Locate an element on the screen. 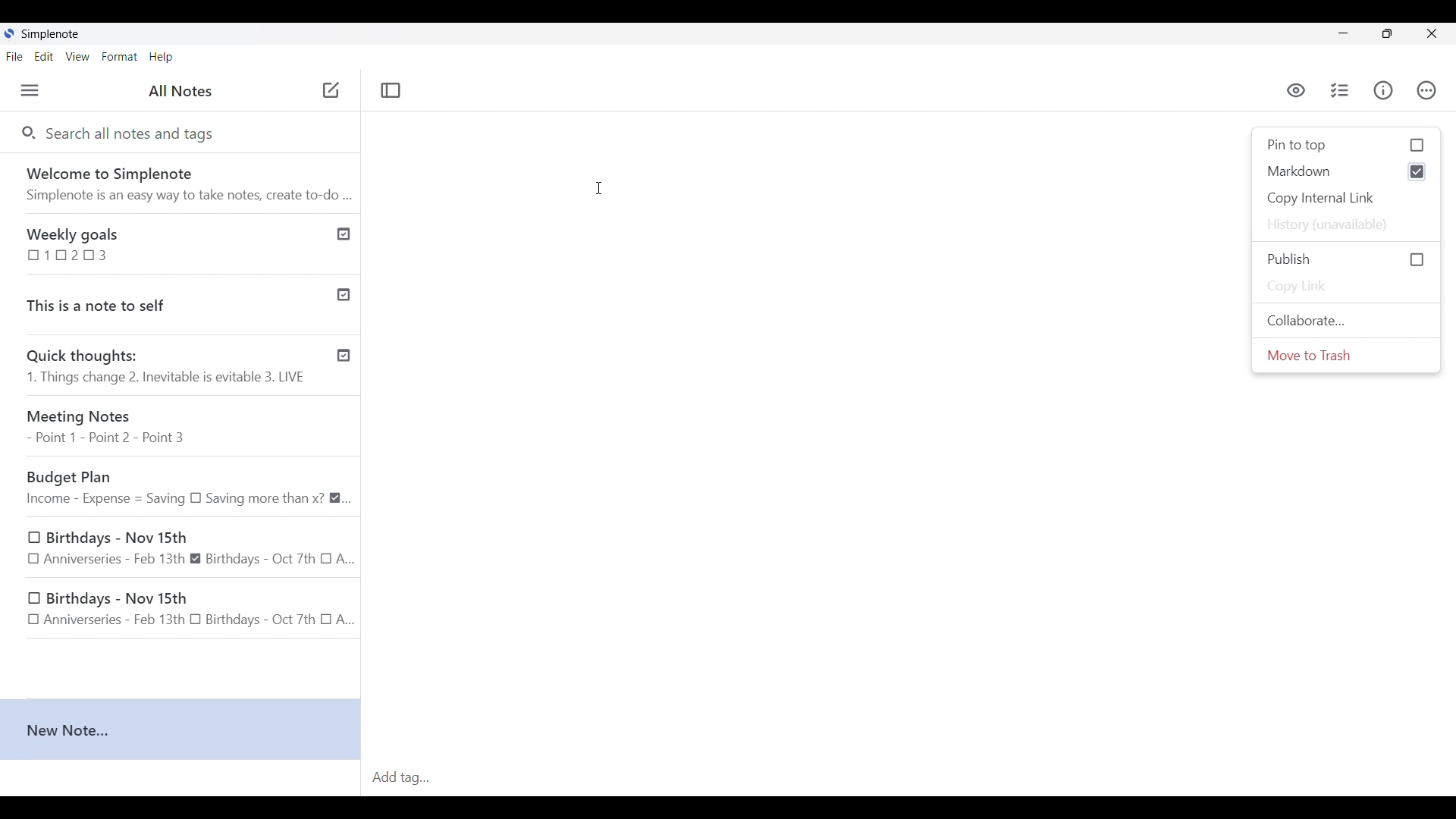  Budget Plan is located at coordinates (188, 488).